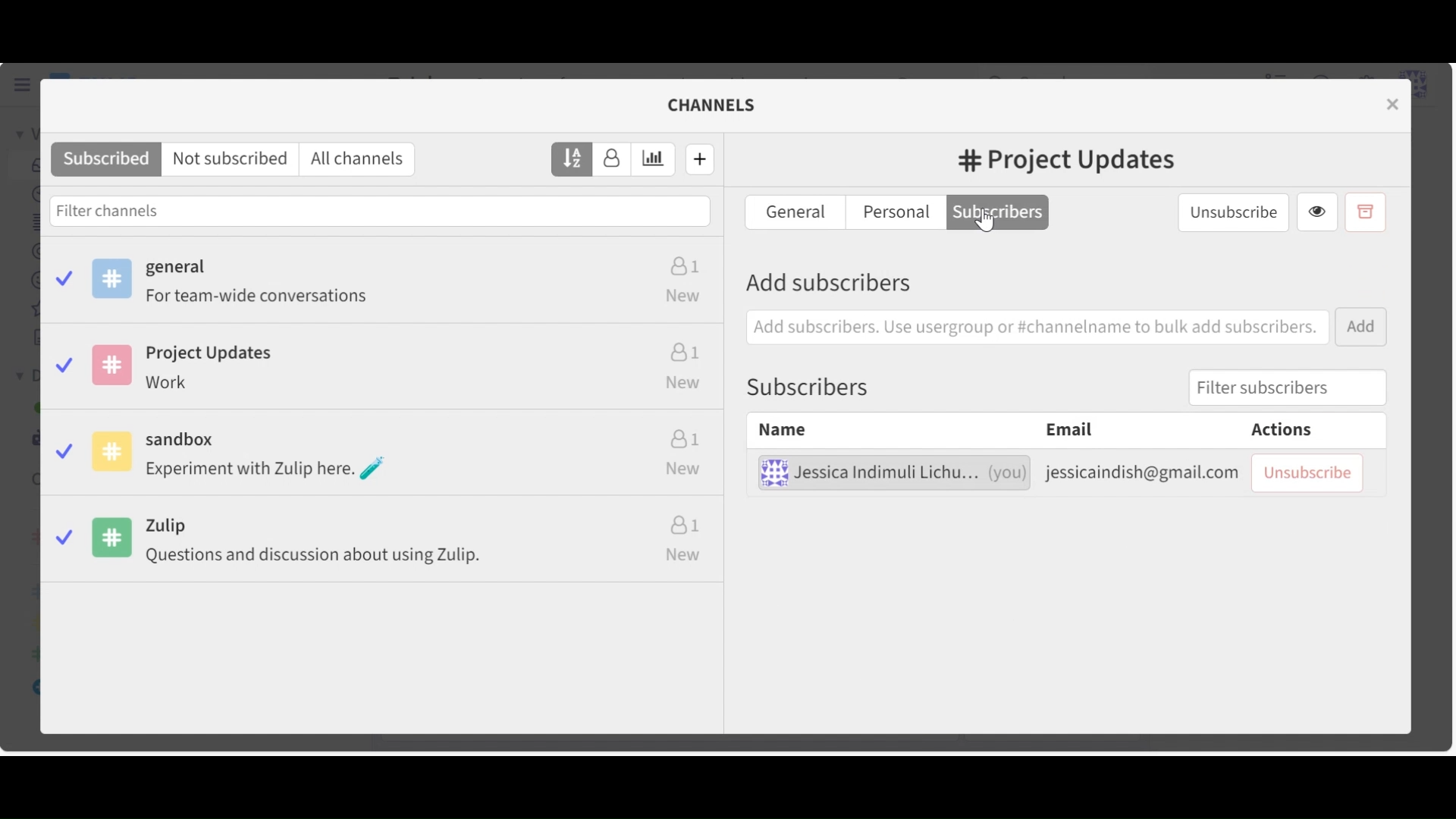 The image size is (1456, 819). I want to click on All channels, so click(359, 159).